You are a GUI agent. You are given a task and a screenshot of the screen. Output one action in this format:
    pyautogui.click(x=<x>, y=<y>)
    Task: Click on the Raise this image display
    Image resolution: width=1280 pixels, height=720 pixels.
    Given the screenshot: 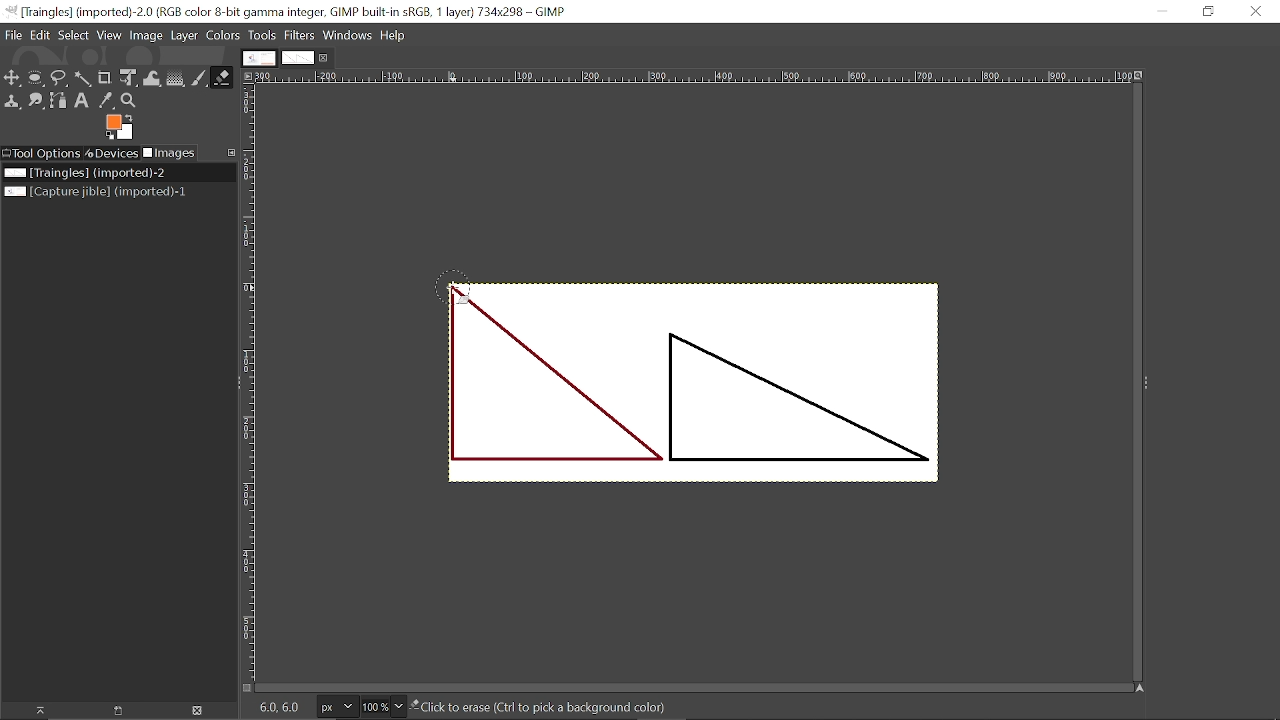 What is the action you would take?
    pyautogui.click(x=34, y=711)
    